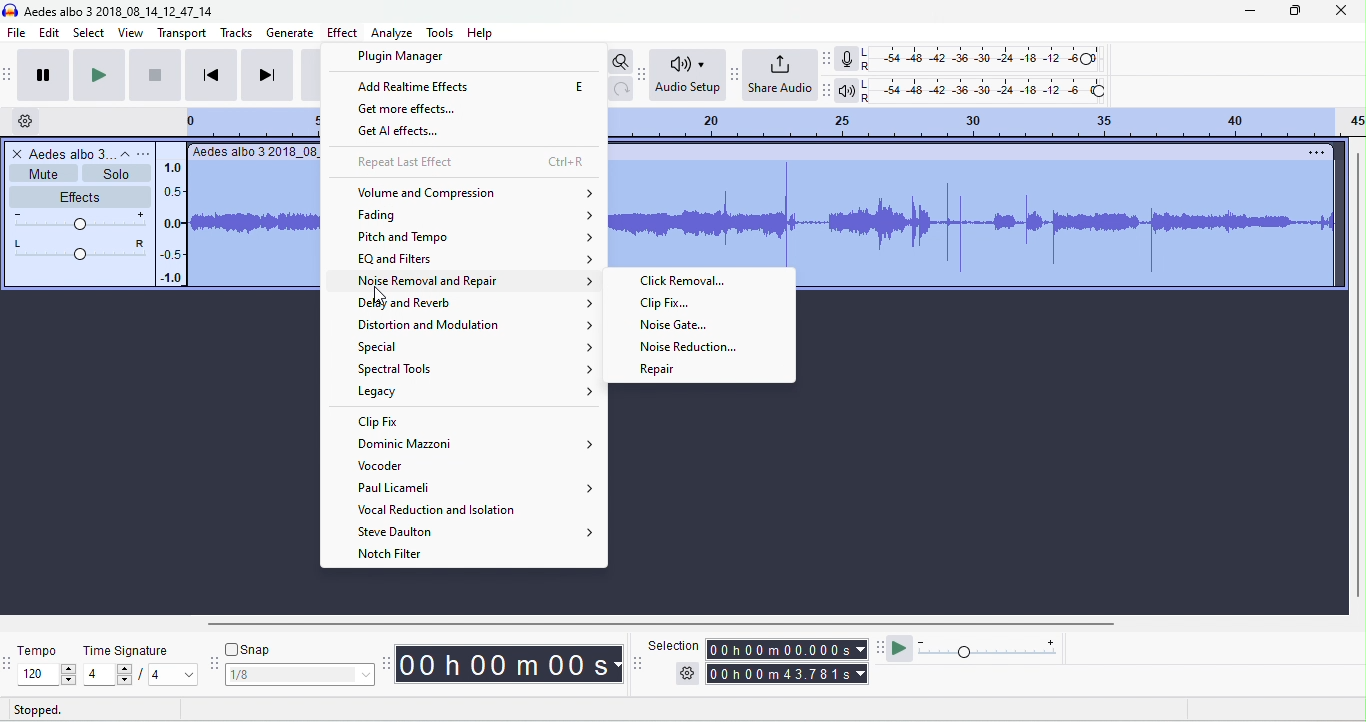 This screenshot has width=1366, height=722. What do you see at coordinates (866, 67) in the screenshot?
I see `R` at bounding box center [866, 67].